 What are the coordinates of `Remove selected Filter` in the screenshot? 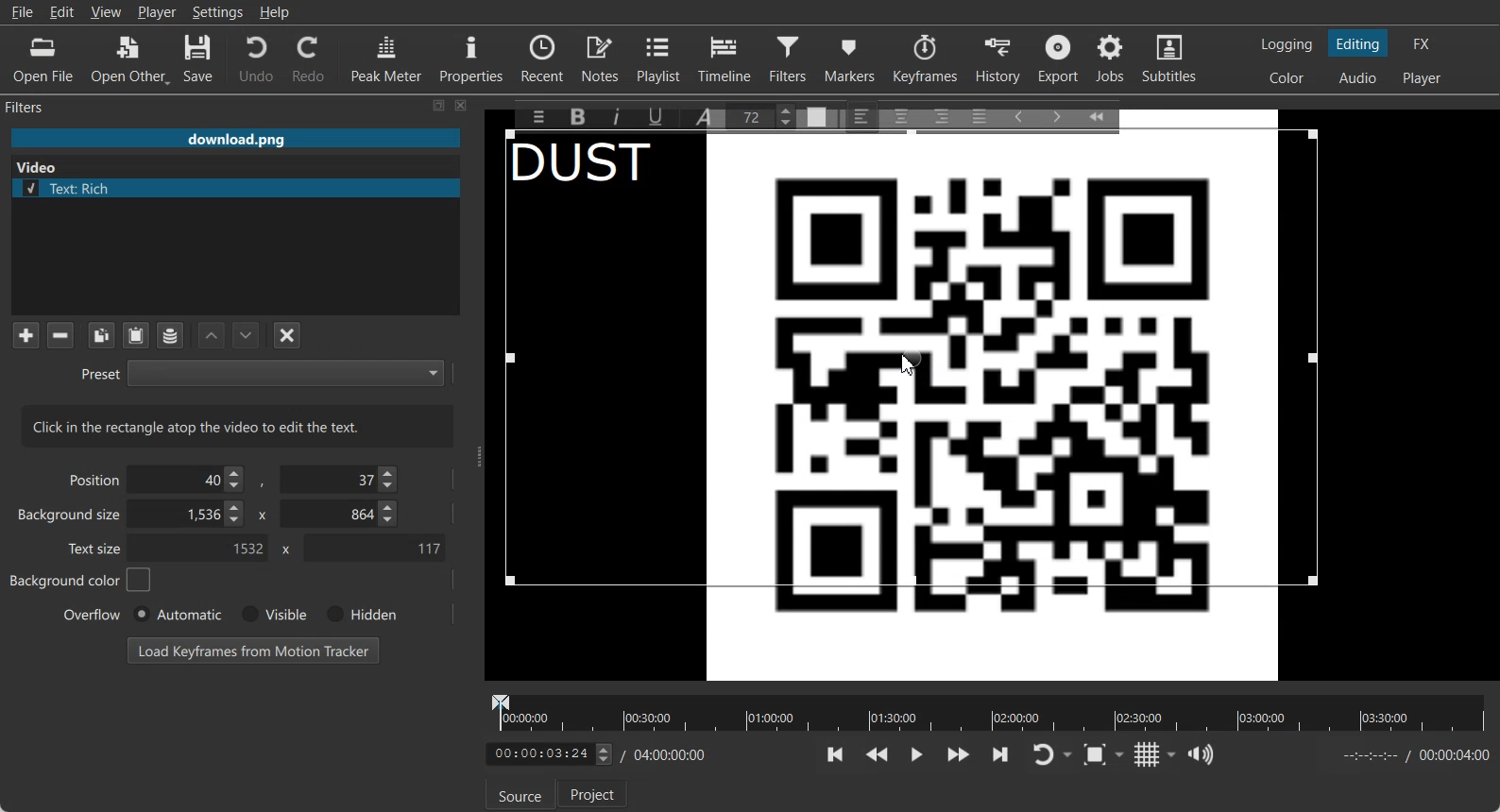 It's located at (60, 334).